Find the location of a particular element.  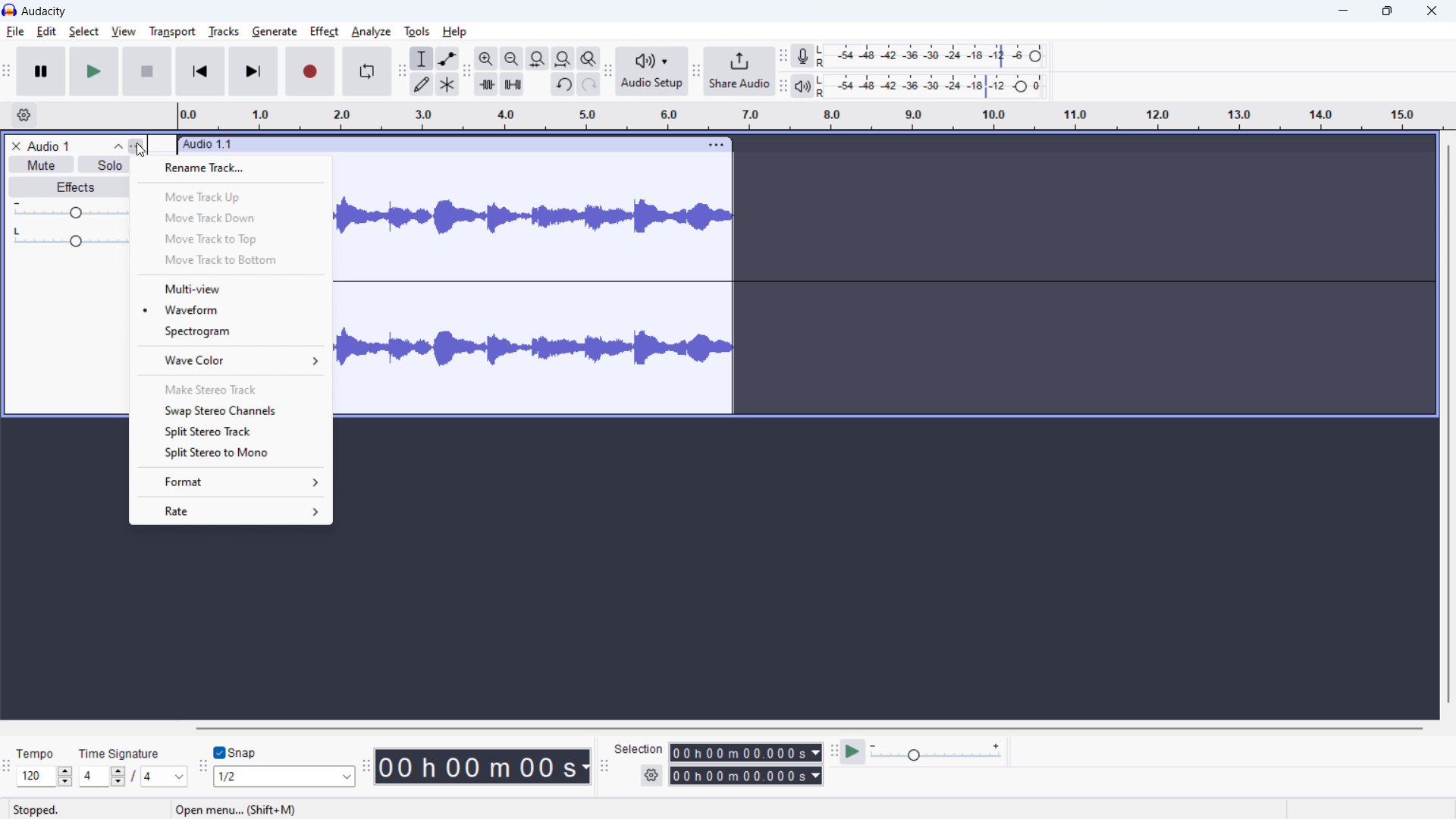

vertical scrollbar is located at coordinates (1449, 424).